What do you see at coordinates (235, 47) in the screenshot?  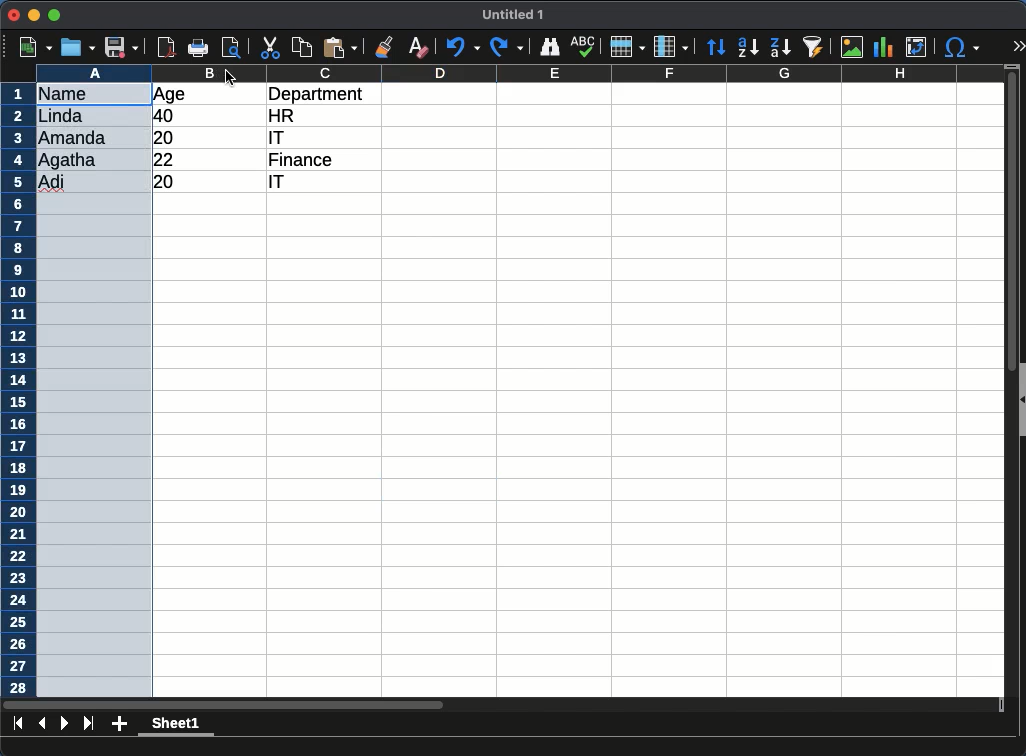 I see `page preview` at bounding box center [235, 47].